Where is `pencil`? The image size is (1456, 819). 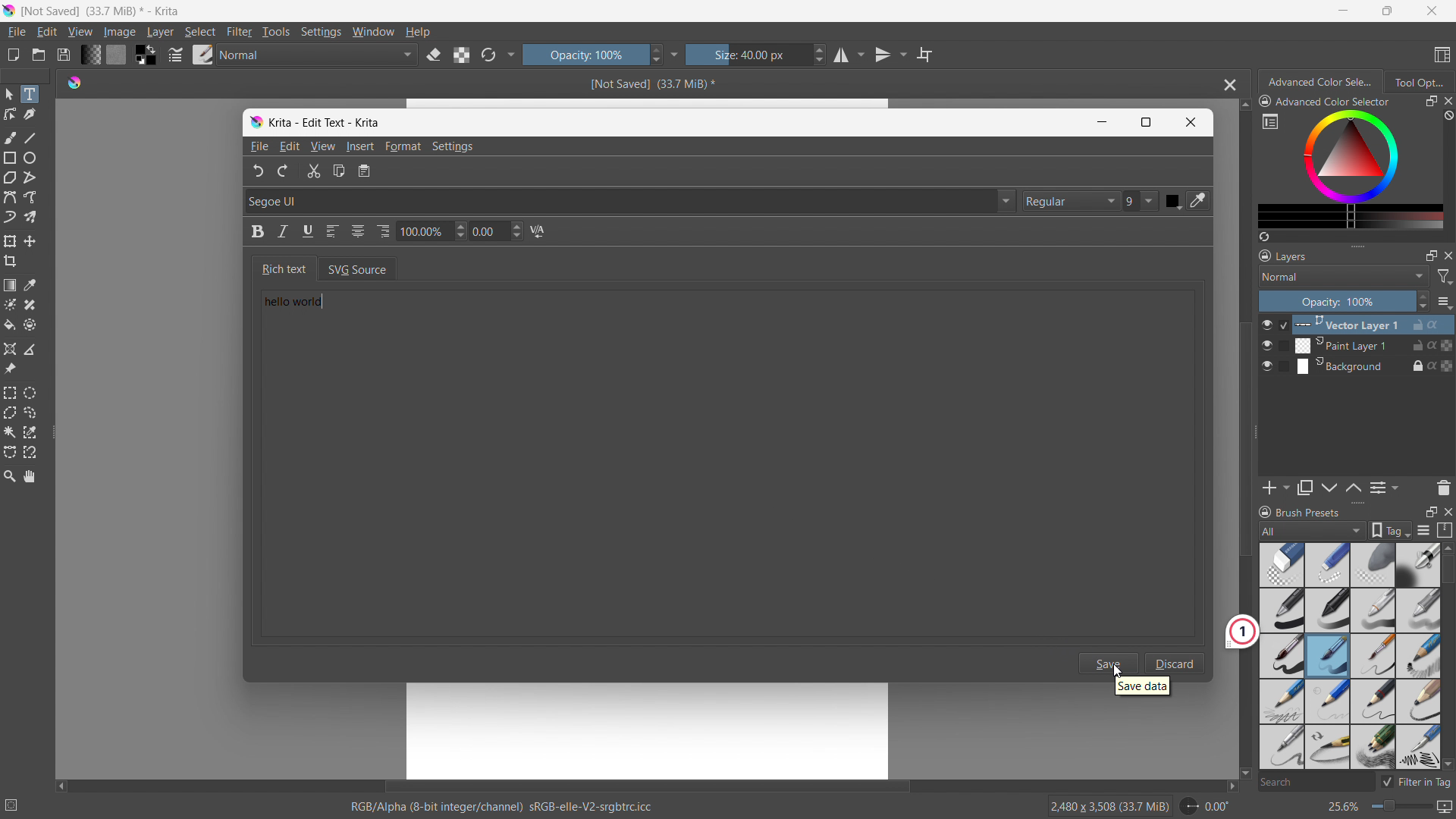
pencil is located at coordinates (1417, 747).